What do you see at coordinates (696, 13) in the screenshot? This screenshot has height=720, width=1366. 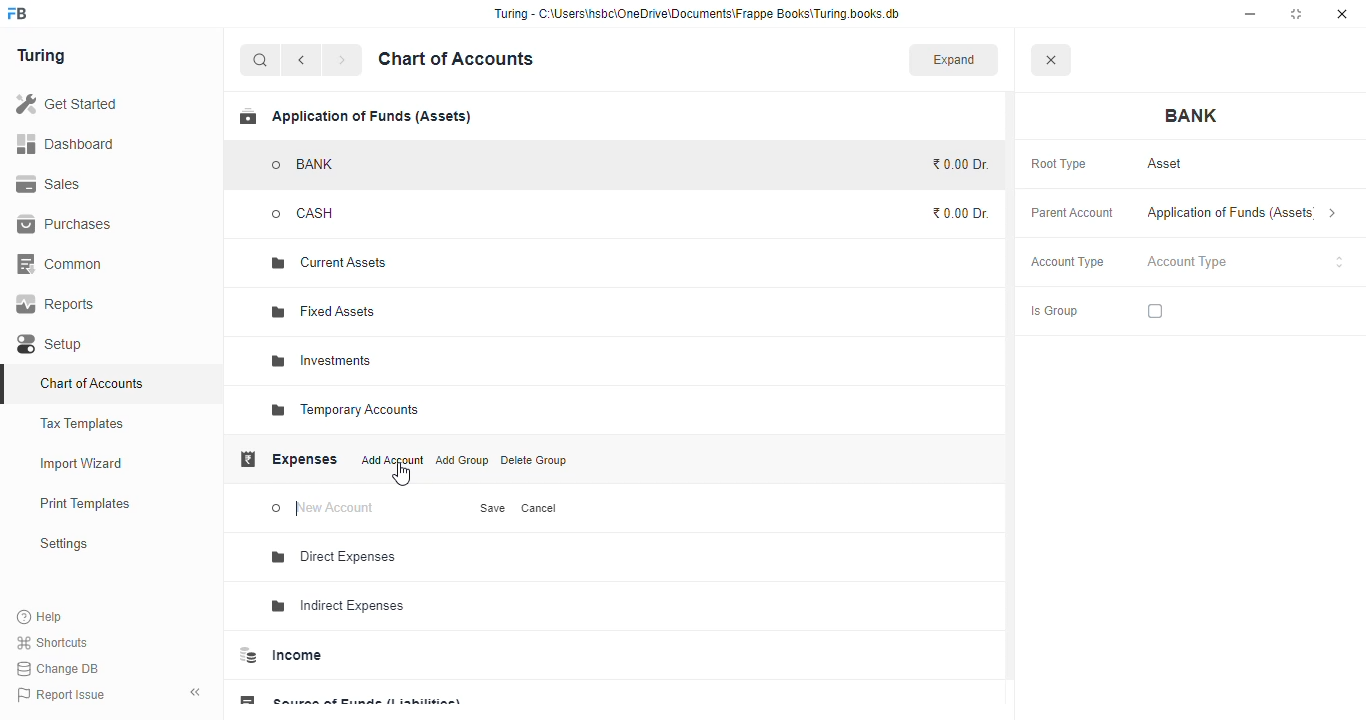 I see `“Turing - C:\Users\hsbc\OneDrive\Documents\Frappe Books\Turing books.db` at bounding box center [696, 13].